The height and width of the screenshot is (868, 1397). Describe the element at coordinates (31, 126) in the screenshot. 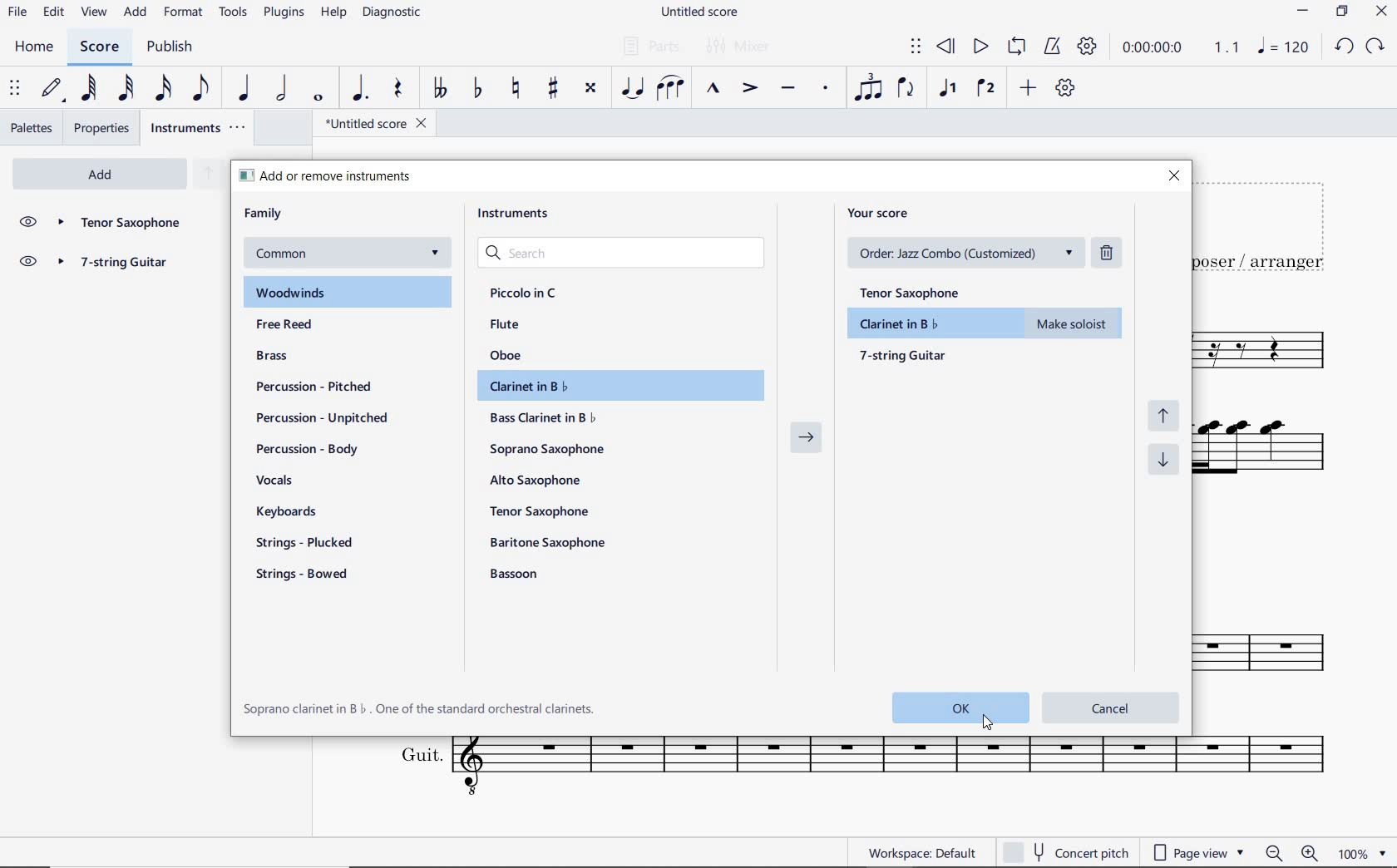

I see `PALETTES` at that location.